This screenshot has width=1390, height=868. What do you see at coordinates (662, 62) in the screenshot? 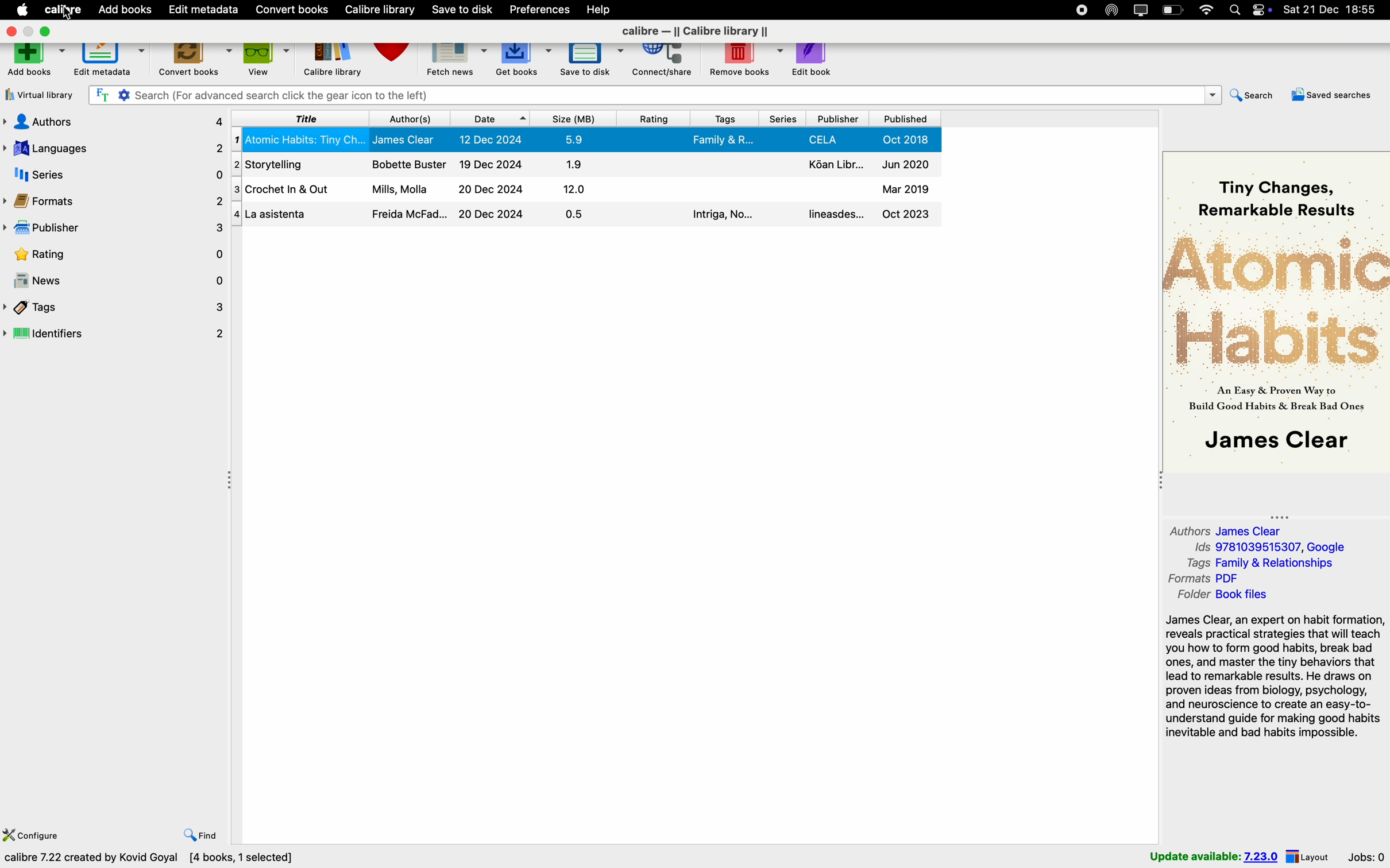
I see `connect/share` at bounding box center [662, 62].